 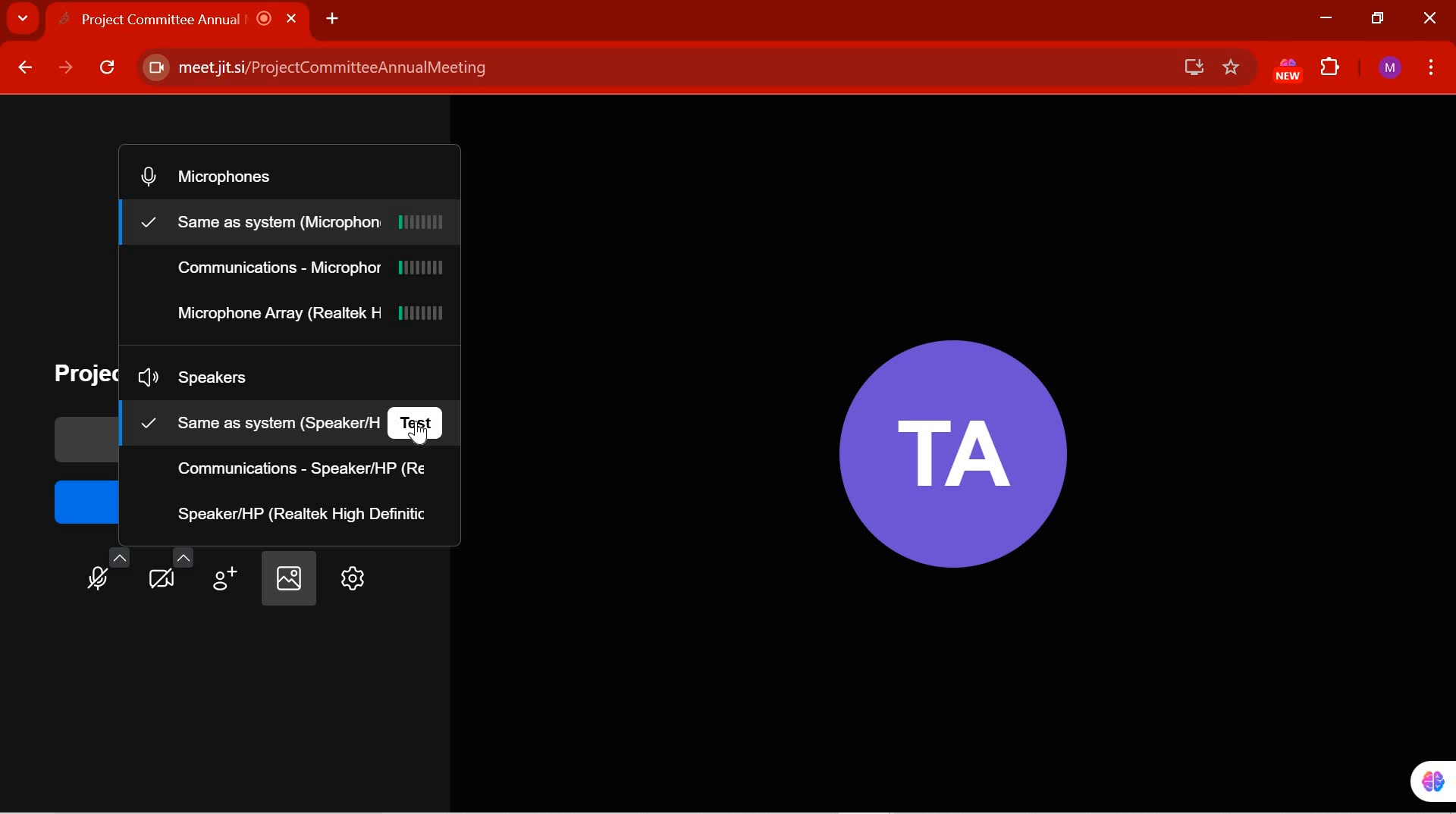 I want to click on CLOSE, so click(x=1427, y=19).